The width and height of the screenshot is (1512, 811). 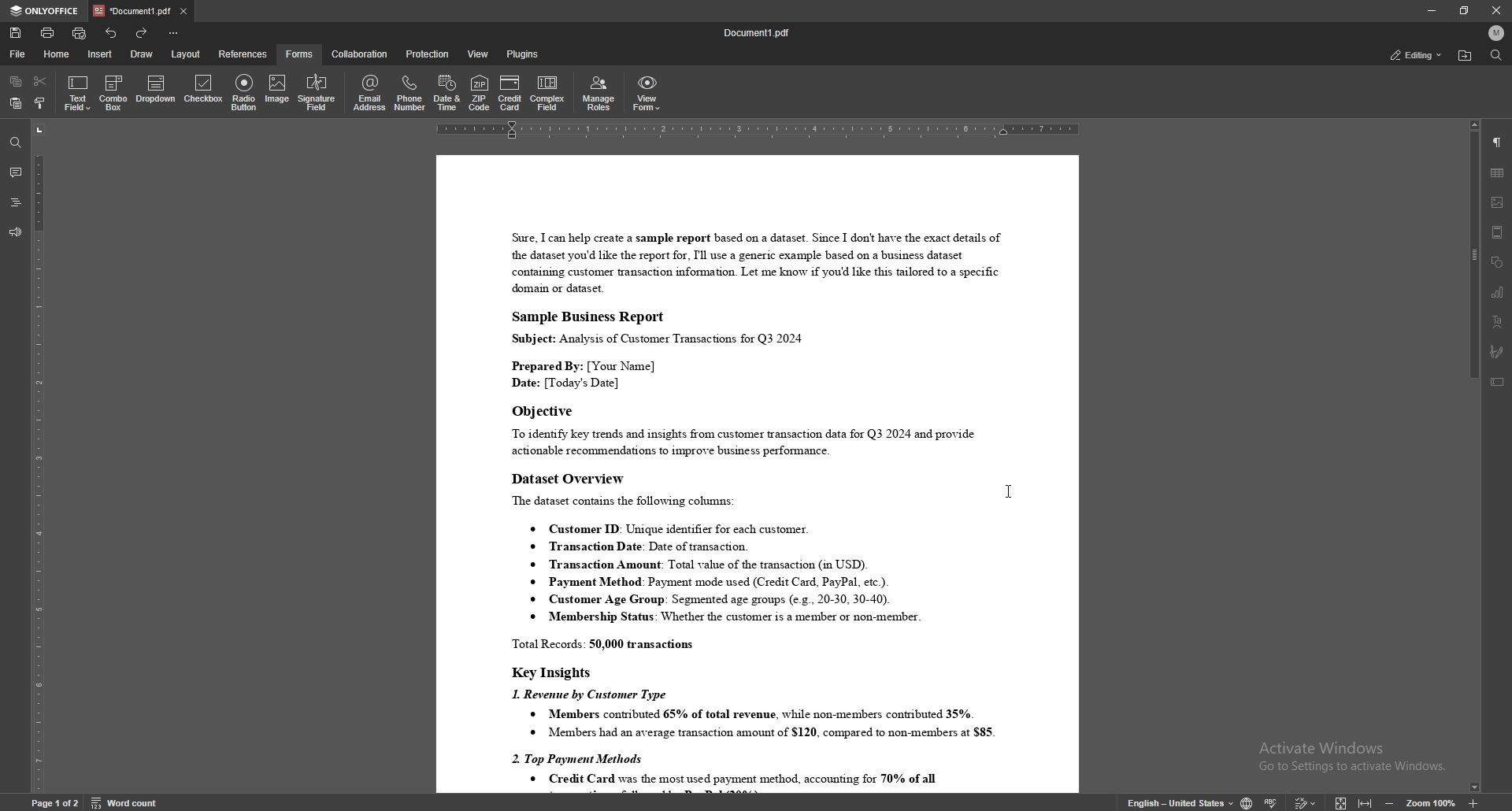 What do you see at coordinates (370, 92) in the screenshot?
I see `email address` at bounding box center [370, 92].